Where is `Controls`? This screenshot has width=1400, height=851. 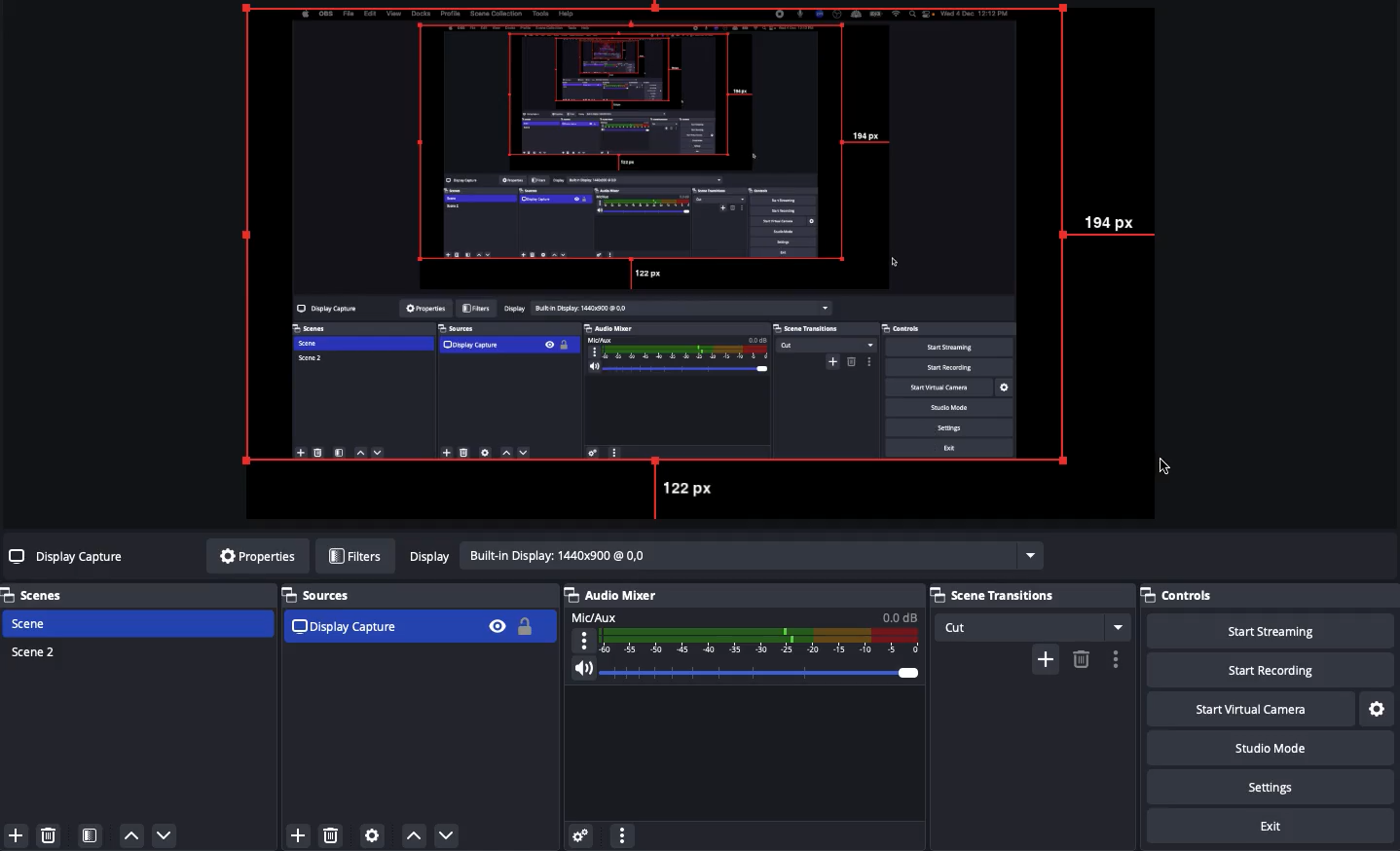
Controls is located at coordinates (1201, 597).